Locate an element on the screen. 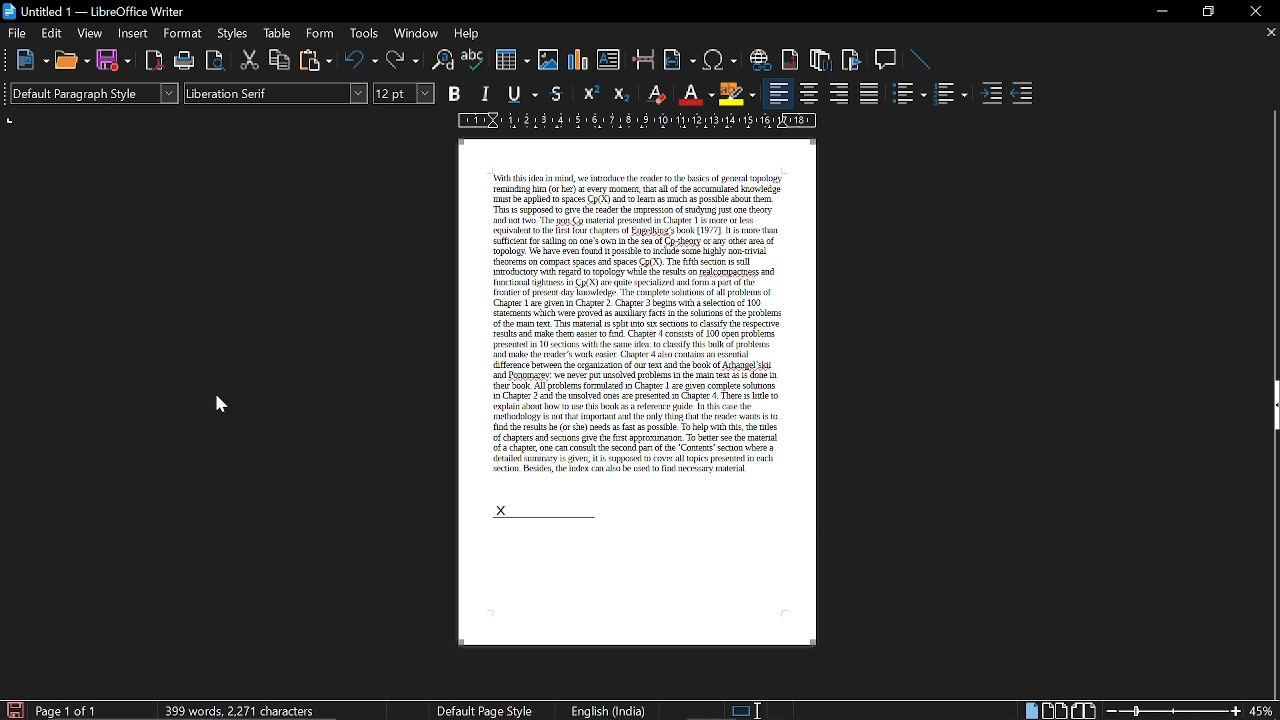  save  is located at coordinates (13, 710).